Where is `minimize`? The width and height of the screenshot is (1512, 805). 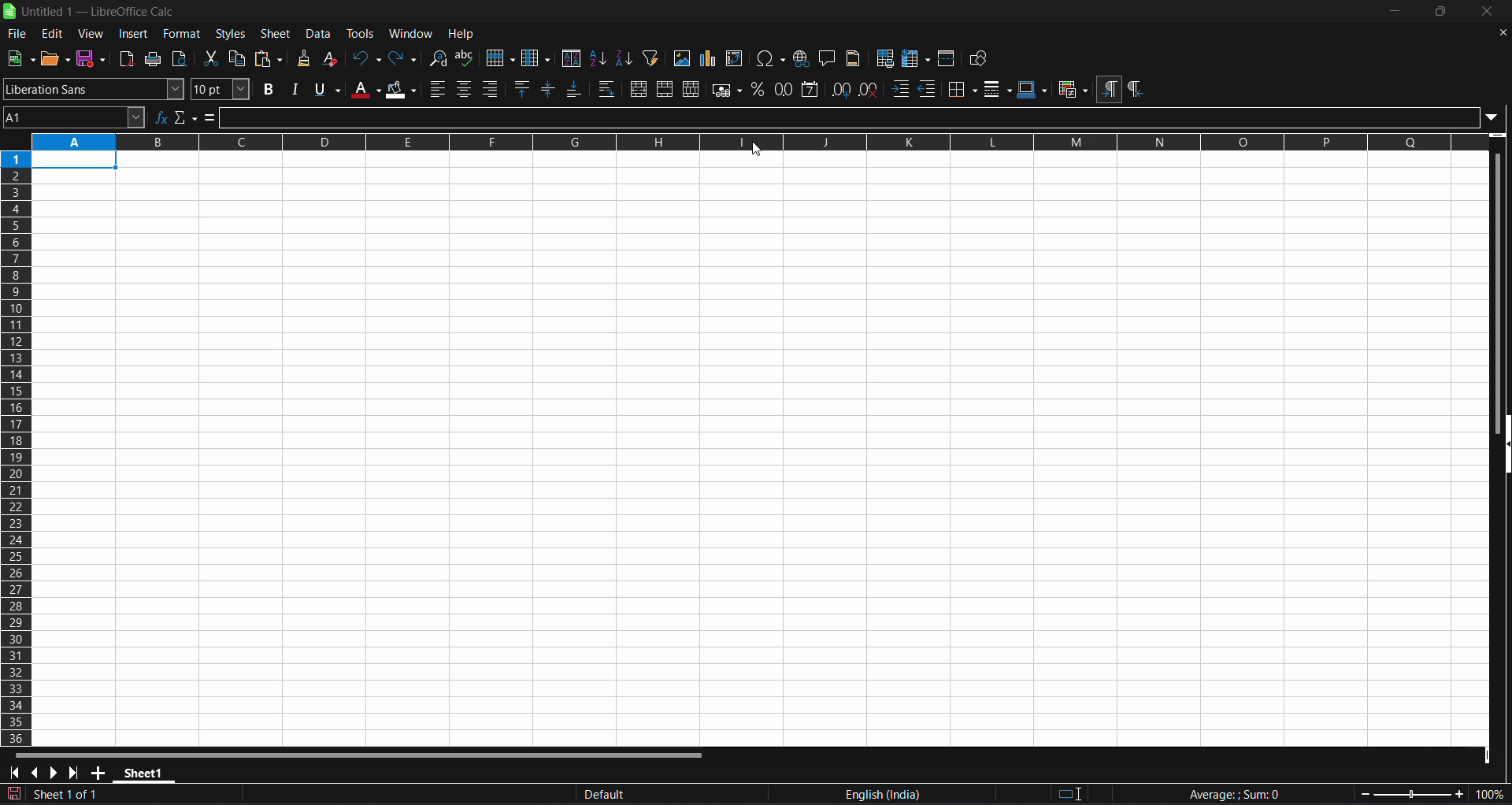 minimize is located at coordinates (1395, 13).